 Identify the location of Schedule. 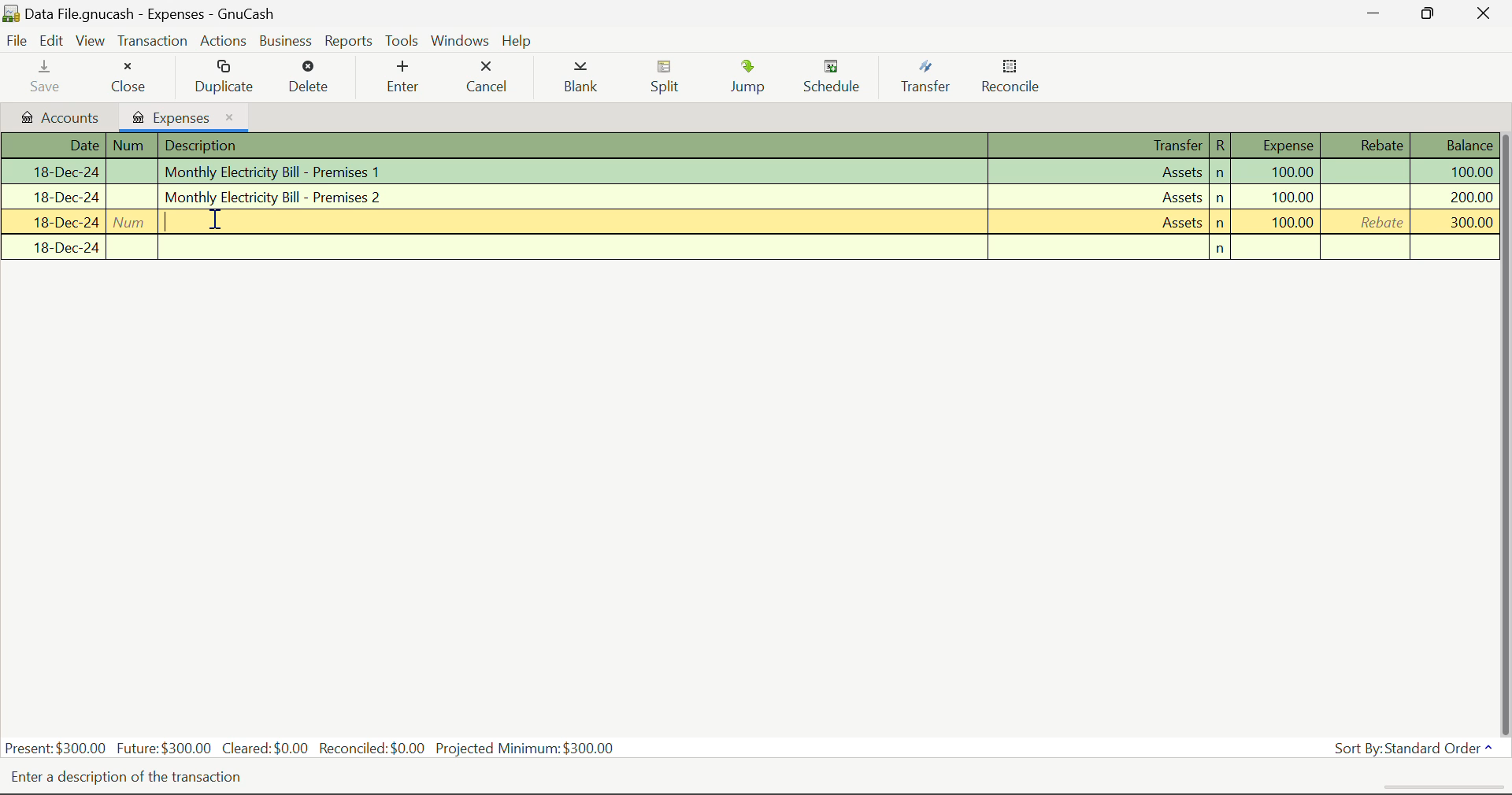
(840, 79).